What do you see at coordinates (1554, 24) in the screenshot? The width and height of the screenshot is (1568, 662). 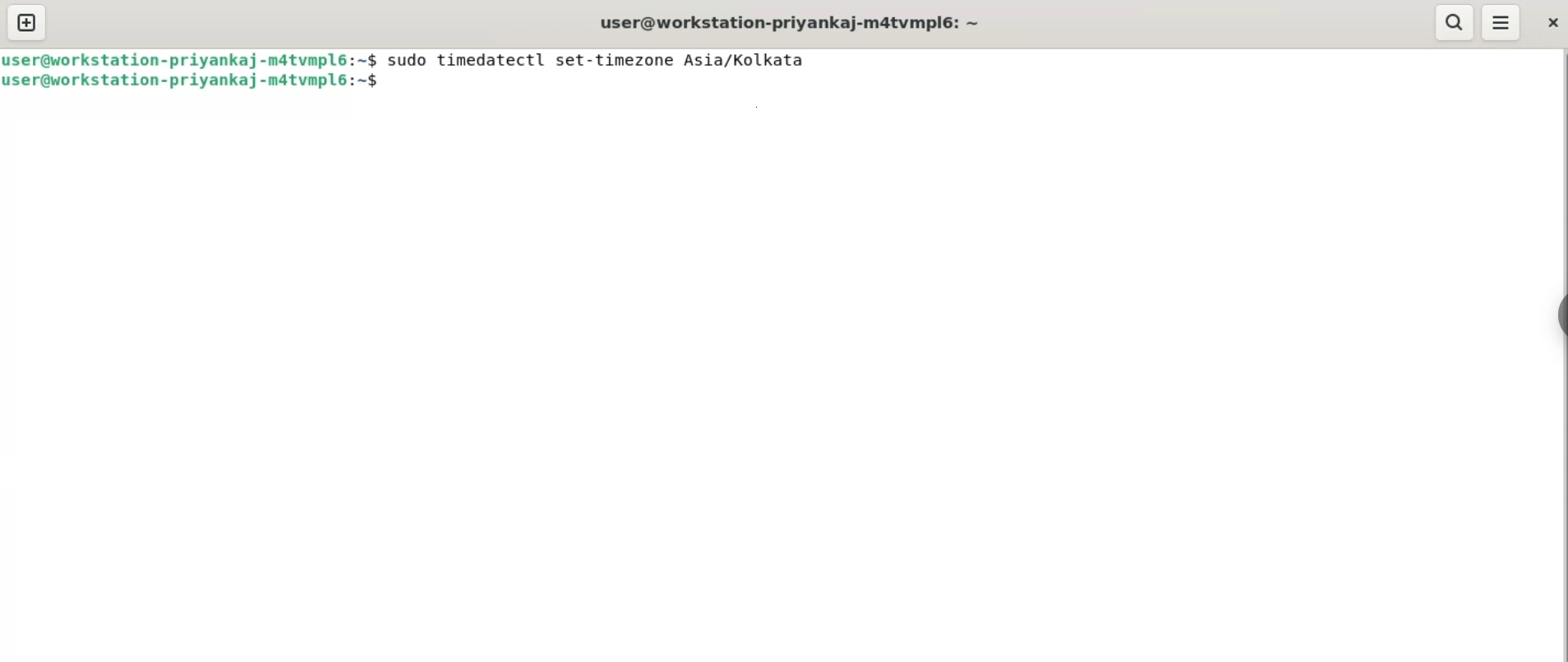 I see `close` at bounding box center [1554, 24].